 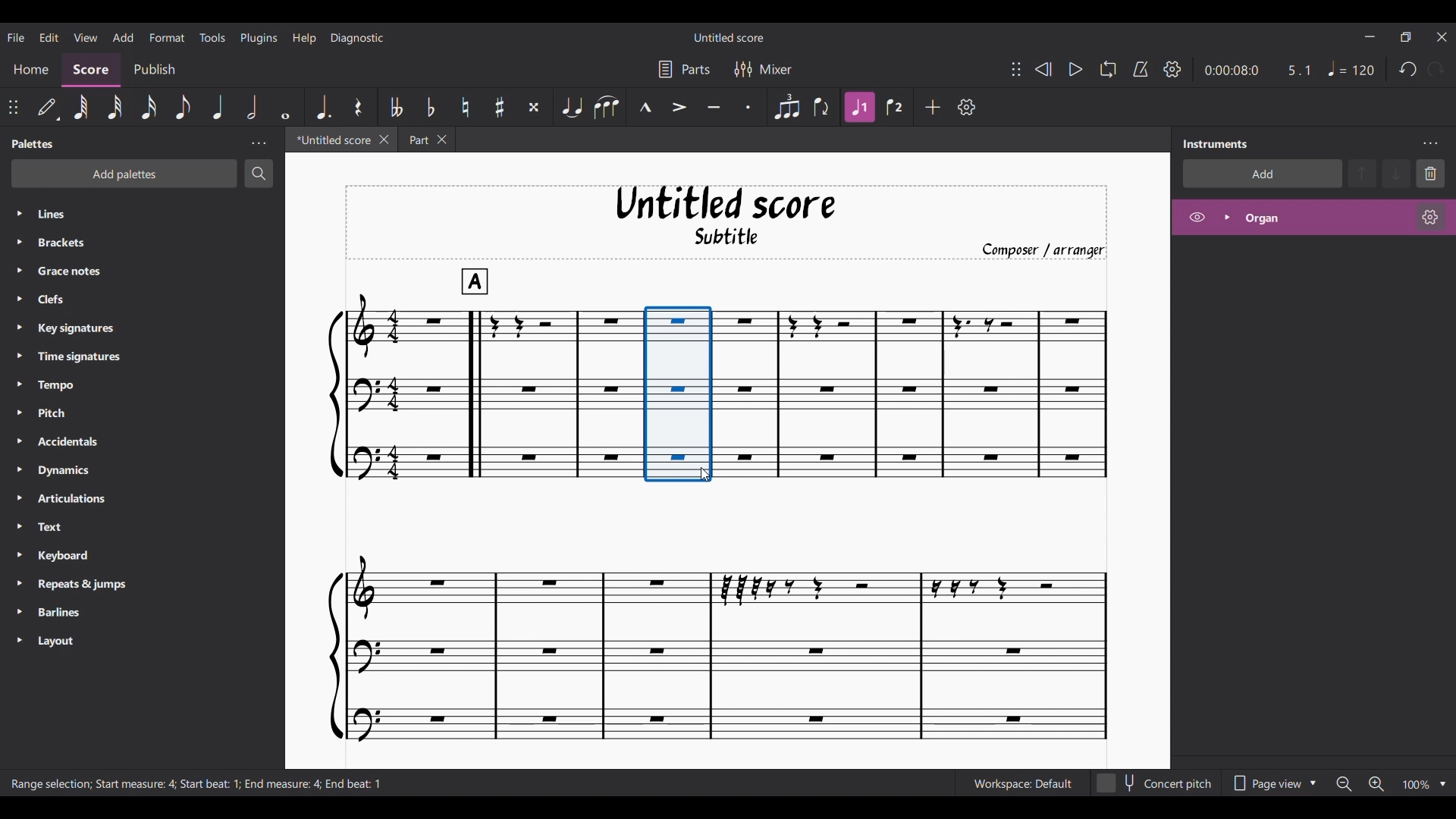 What do you see at coordinates (115, 108) in the screenshot?
I see `32nd note` at bounding box center [115, 108].